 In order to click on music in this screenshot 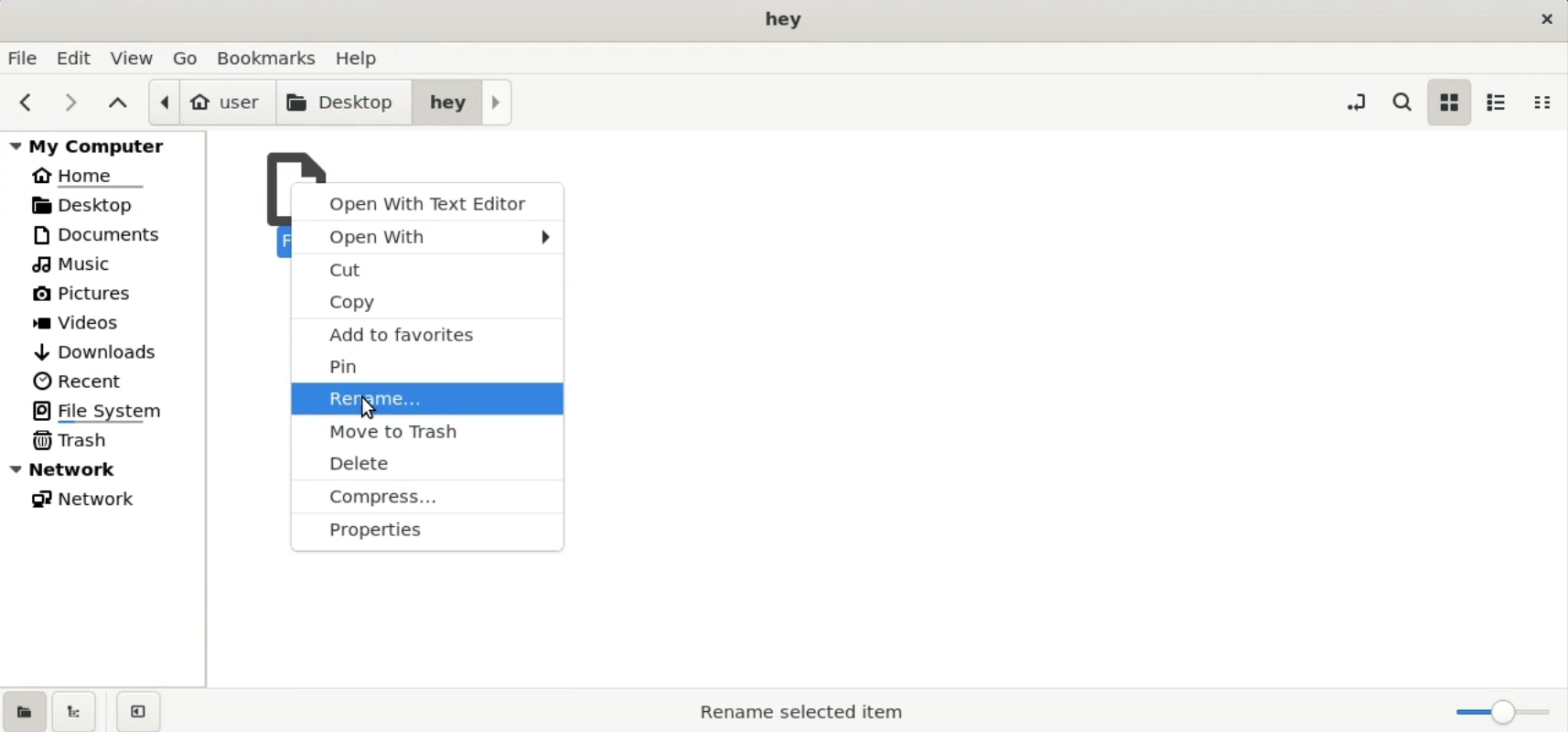, I will do `click(78, 265)`.